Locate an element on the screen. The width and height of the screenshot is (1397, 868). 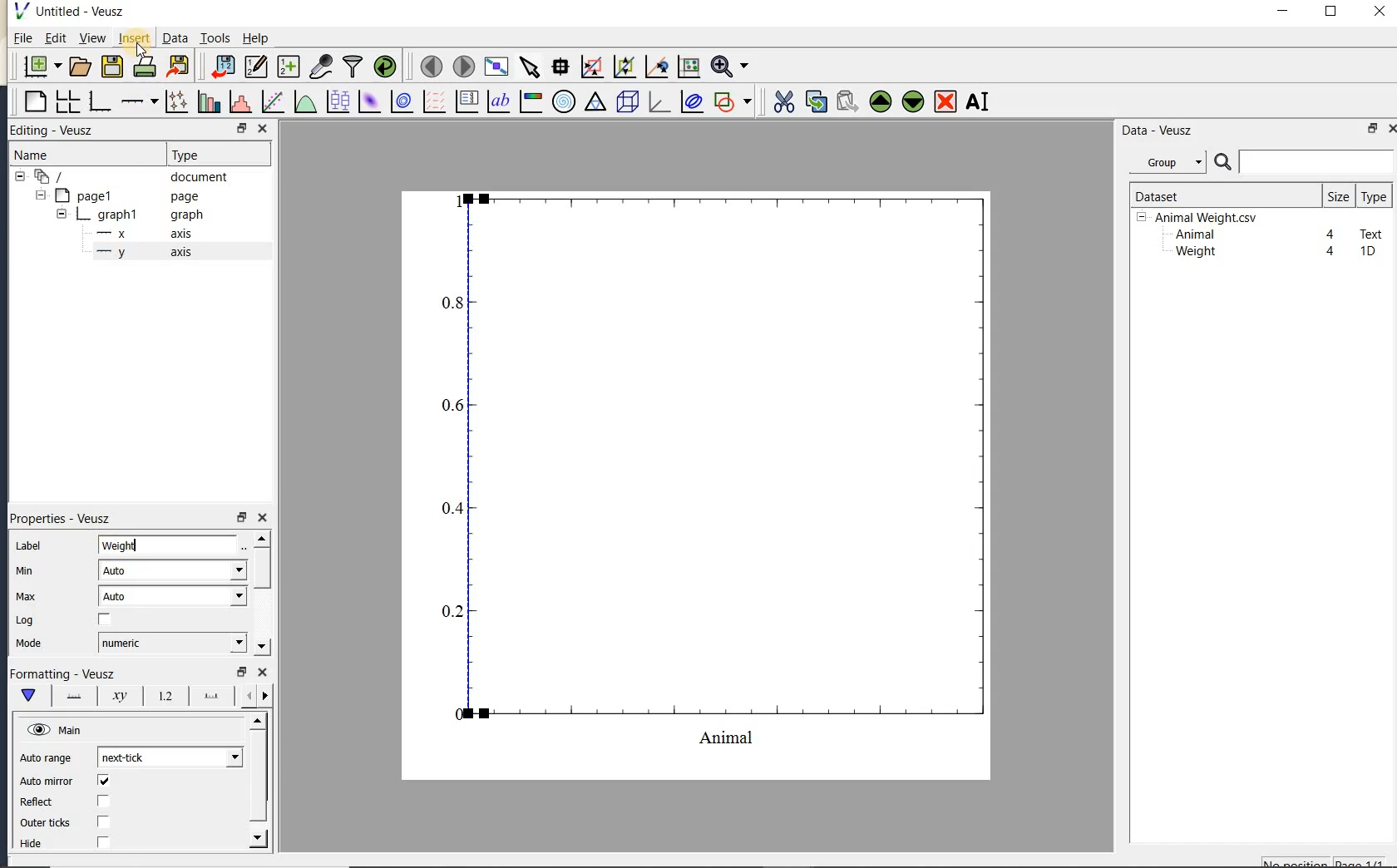
Auto is located at coordinates (173, 596).